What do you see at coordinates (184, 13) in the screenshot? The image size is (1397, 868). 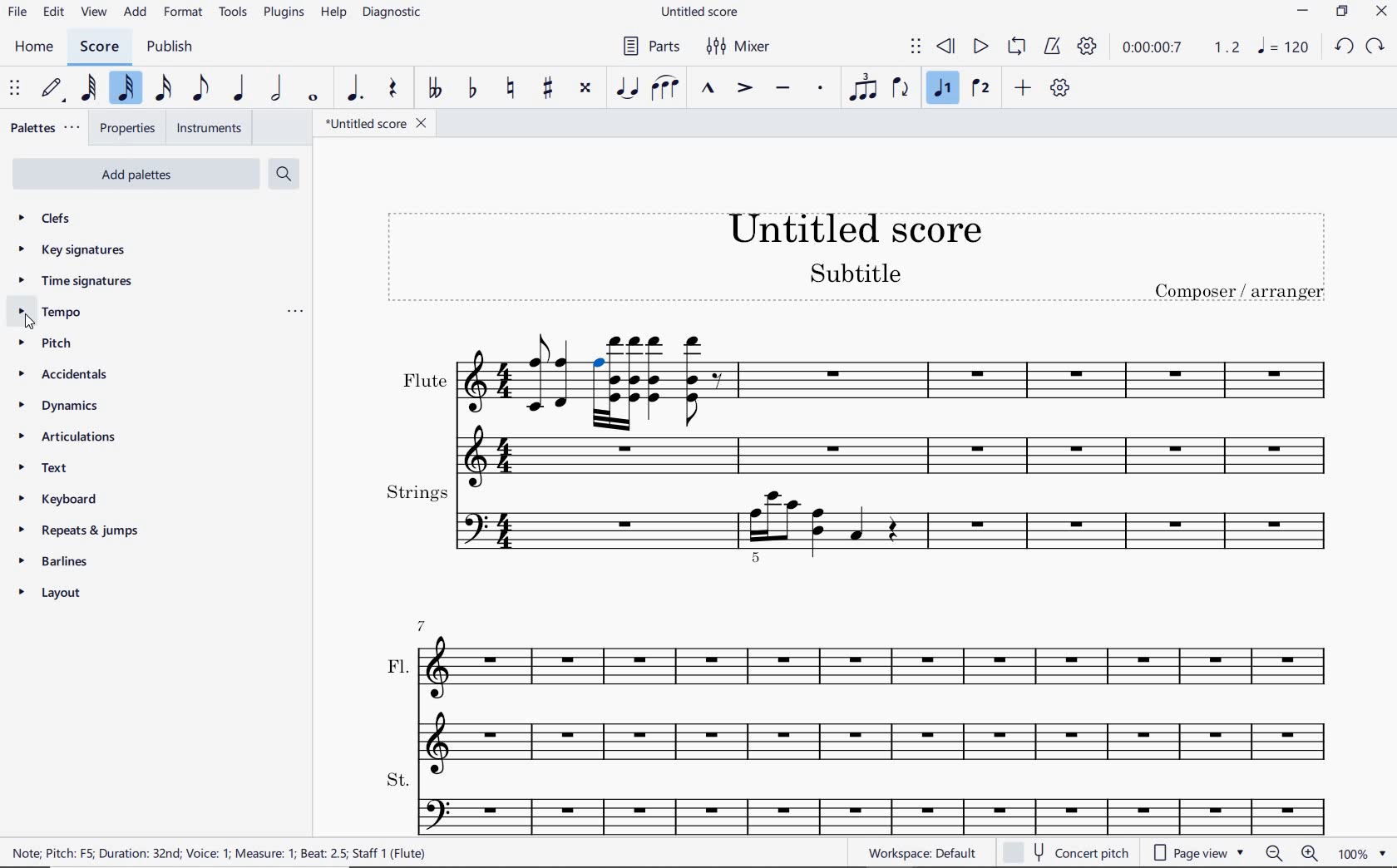 I see `format` at bounding box center [184, 13].